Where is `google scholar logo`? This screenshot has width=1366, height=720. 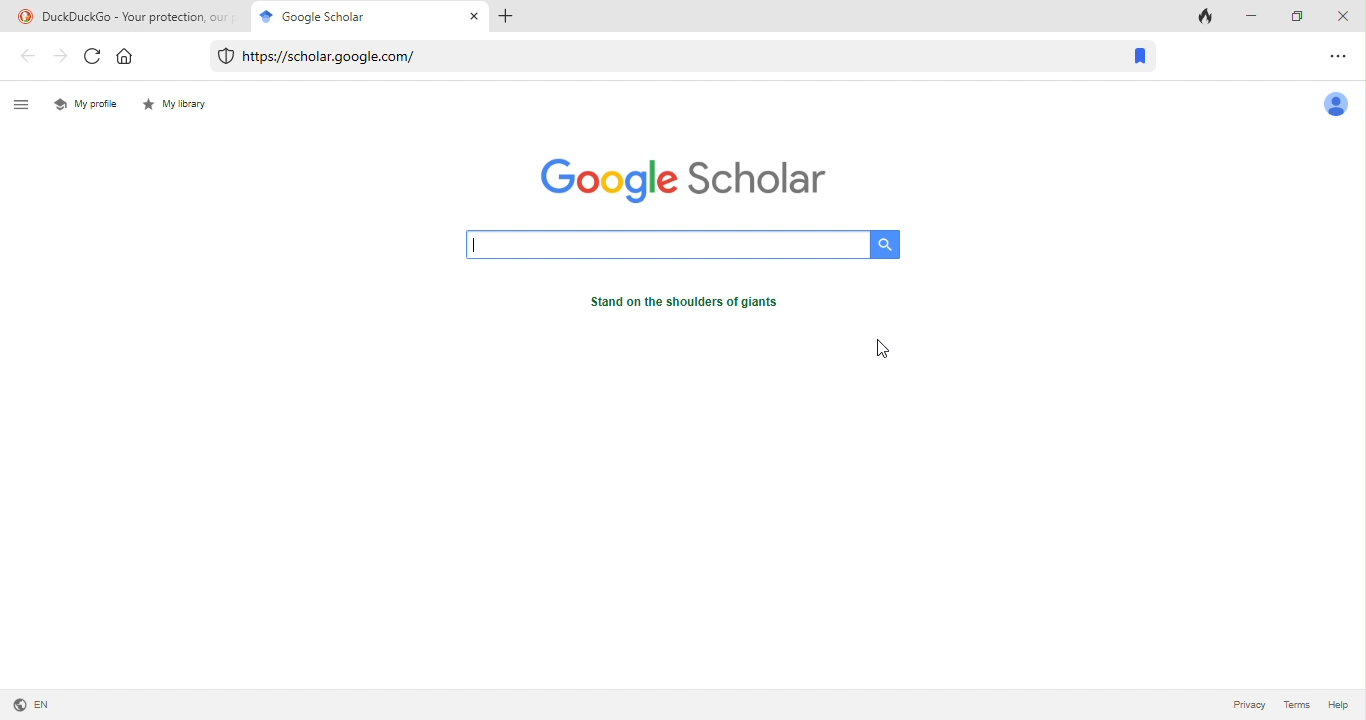 google scholar logo is located at coordinates (677, 178).